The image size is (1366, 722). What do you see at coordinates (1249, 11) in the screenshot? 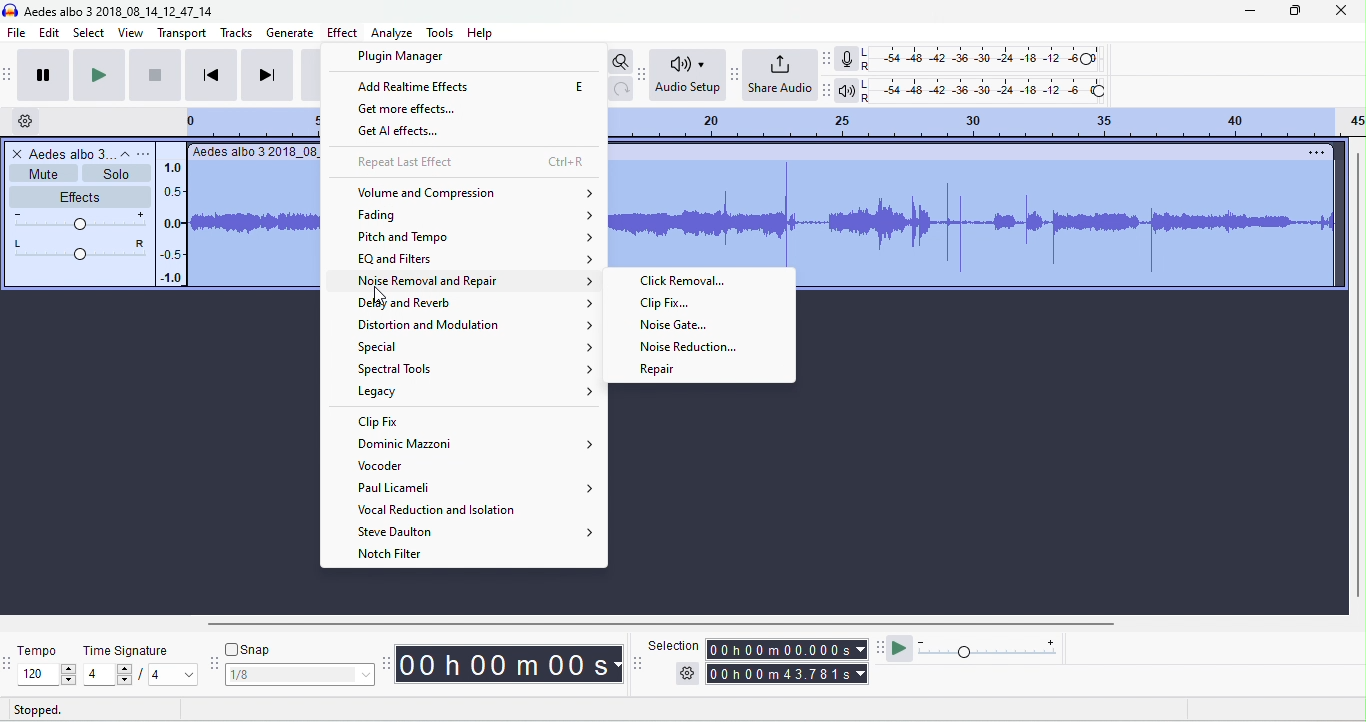
I see `minimize` at bounding box center [1249, 11].